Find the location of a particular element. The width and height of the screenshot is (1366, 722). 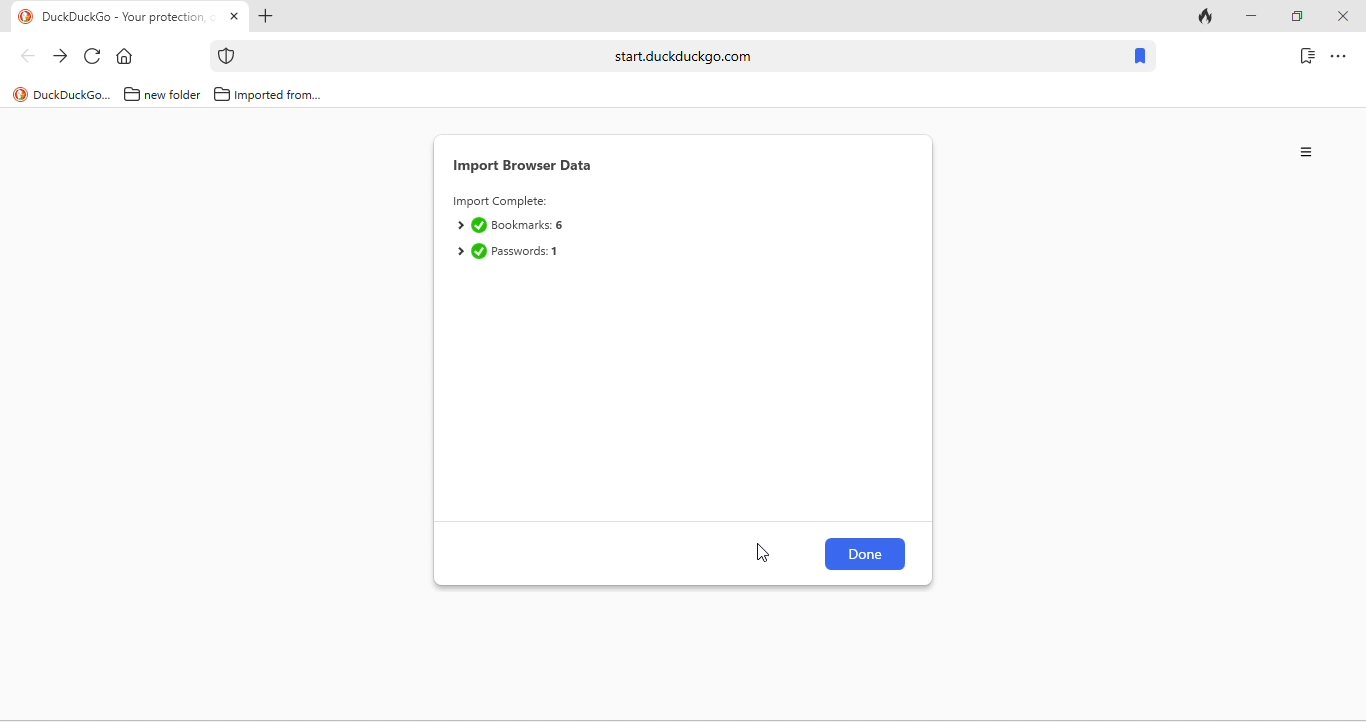

icon is located at coordinates (227, 56).